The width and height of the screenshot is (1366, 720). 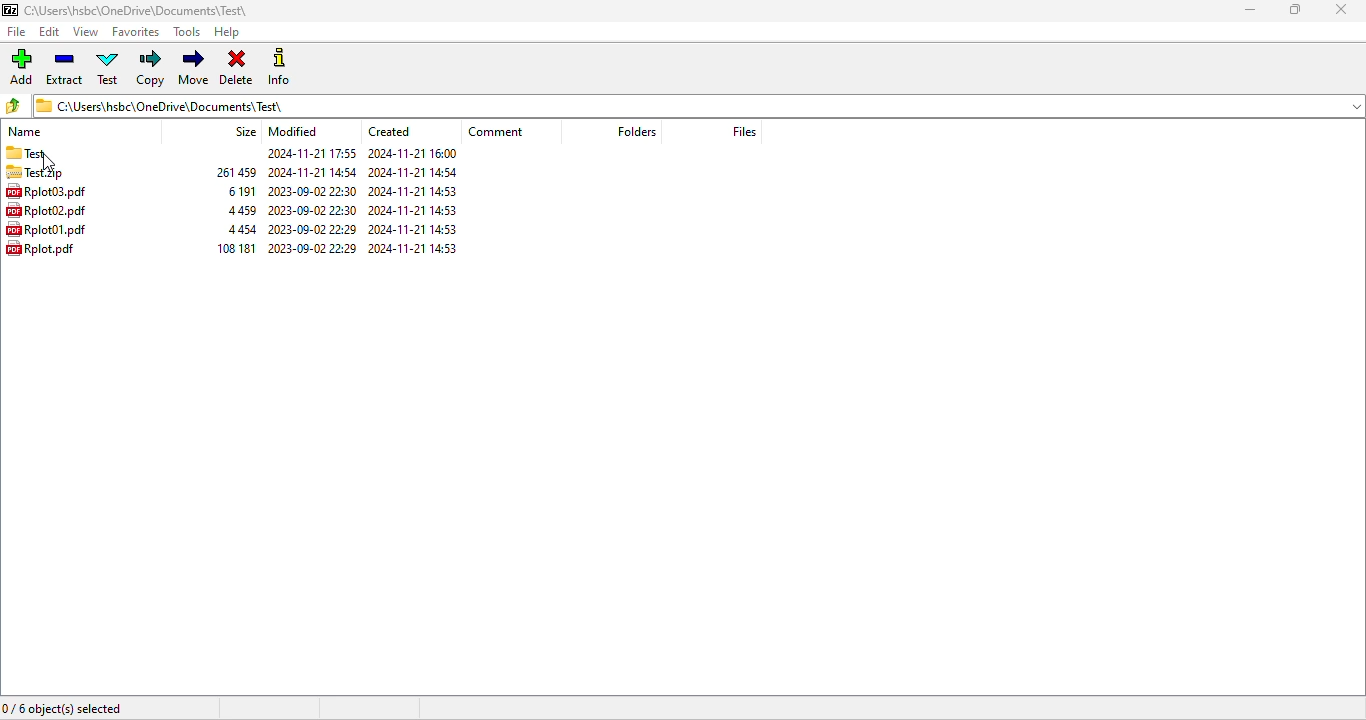 I want to click on comment, so click(x=497, y=131).